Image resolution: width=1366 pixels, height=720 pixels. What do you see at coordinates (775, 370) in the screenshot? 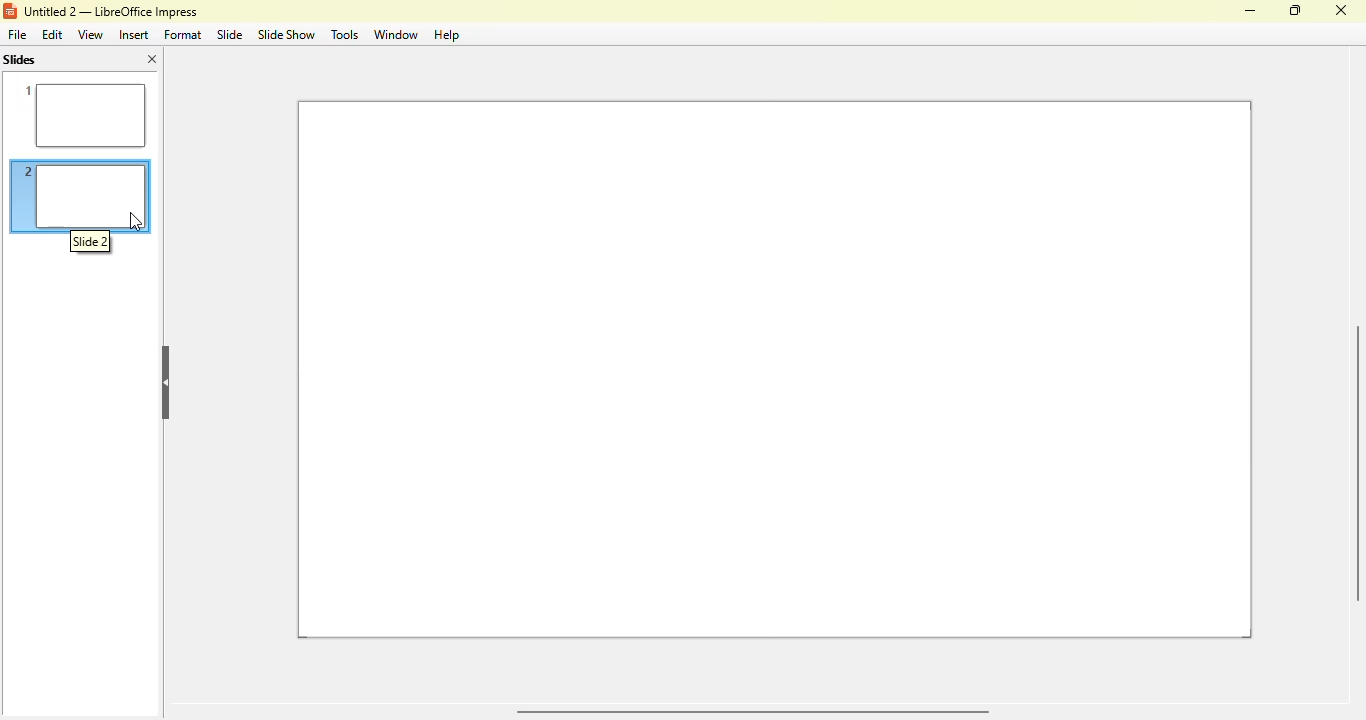
I see `slide 2` at bounding box center [775, 370].